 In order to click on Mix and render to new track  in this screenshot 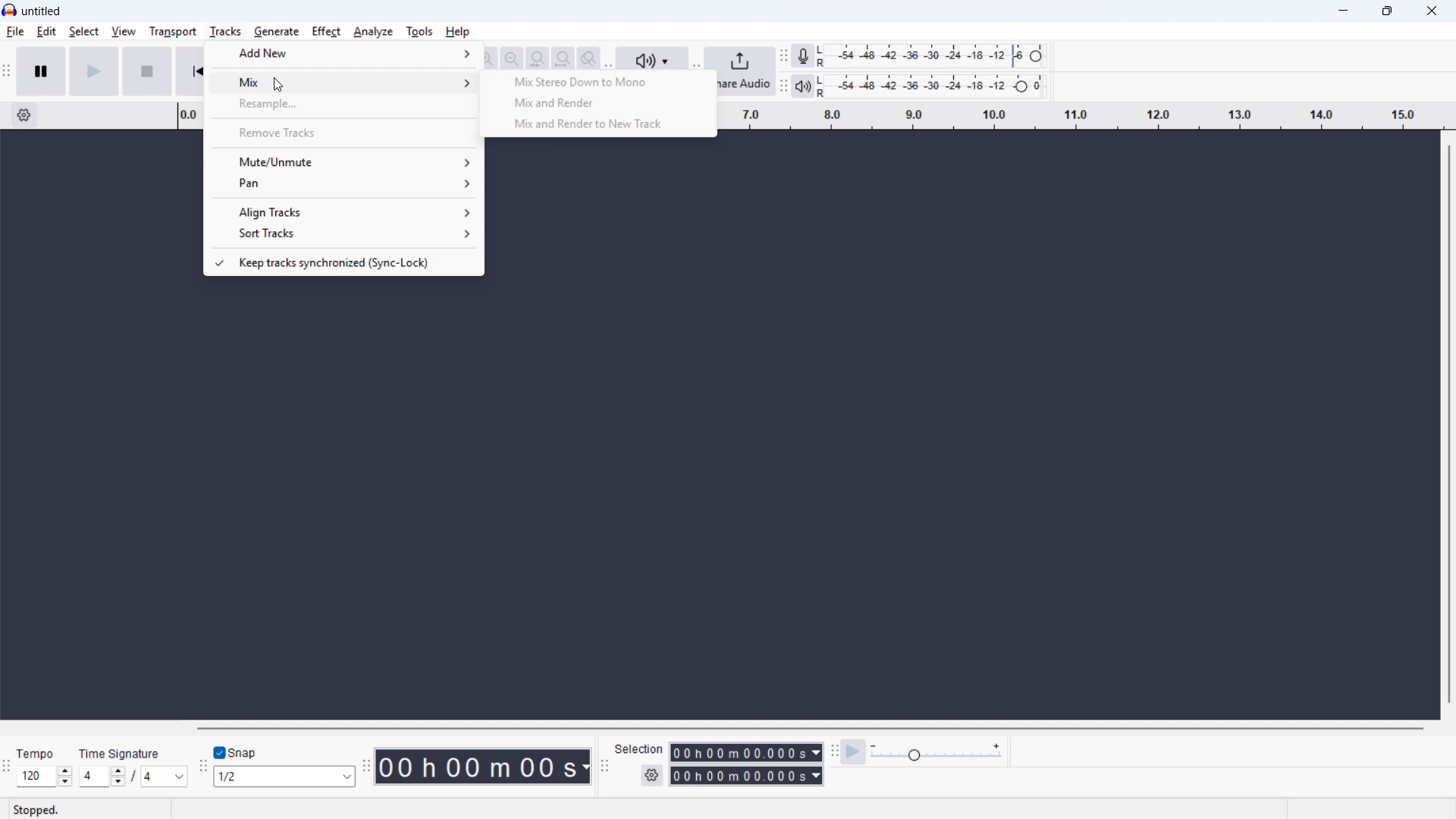, I will do `click(598, 125)`.